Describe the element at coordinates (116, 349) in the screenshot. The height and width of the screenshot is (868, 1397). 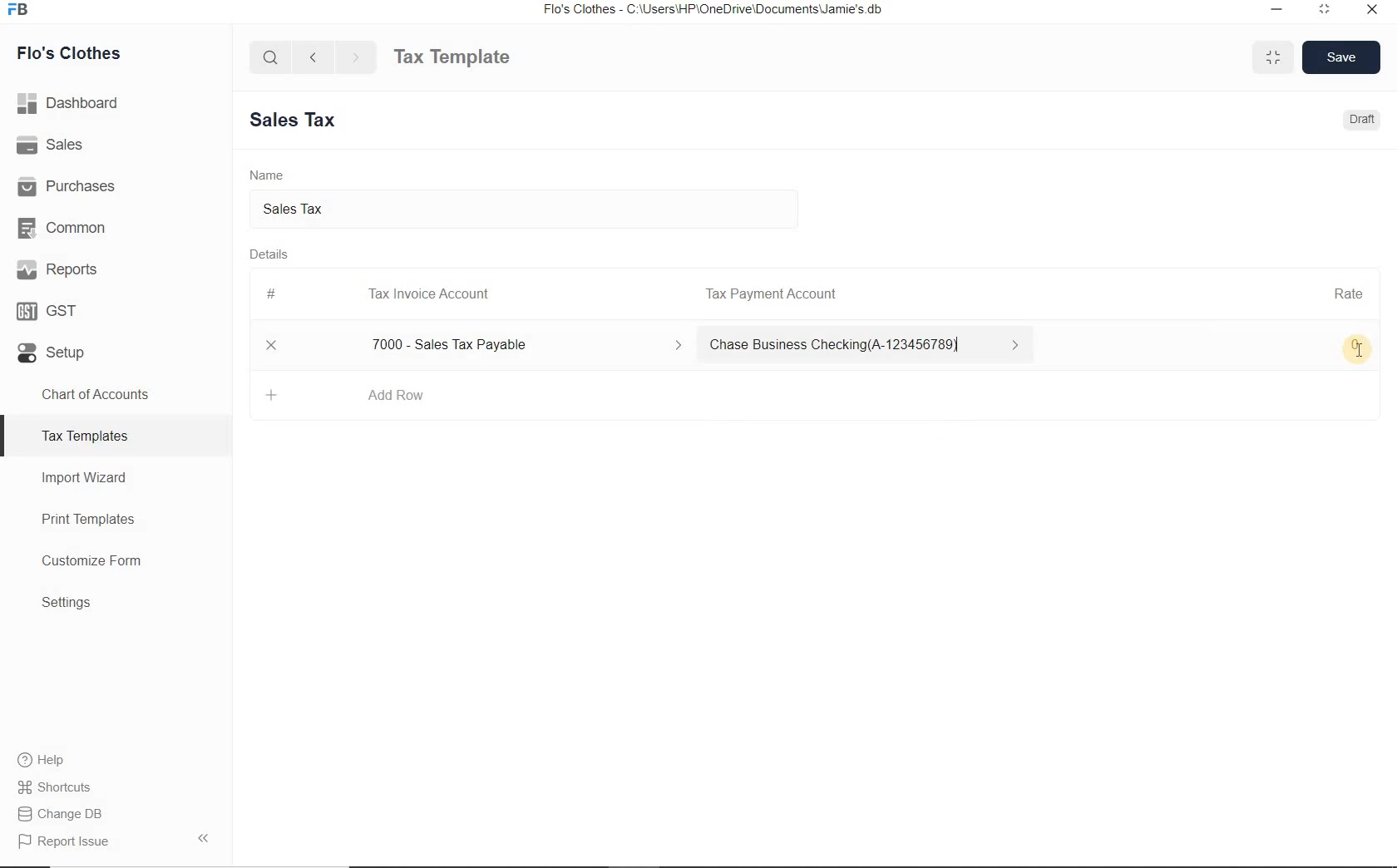
I see `Setup` at that location.